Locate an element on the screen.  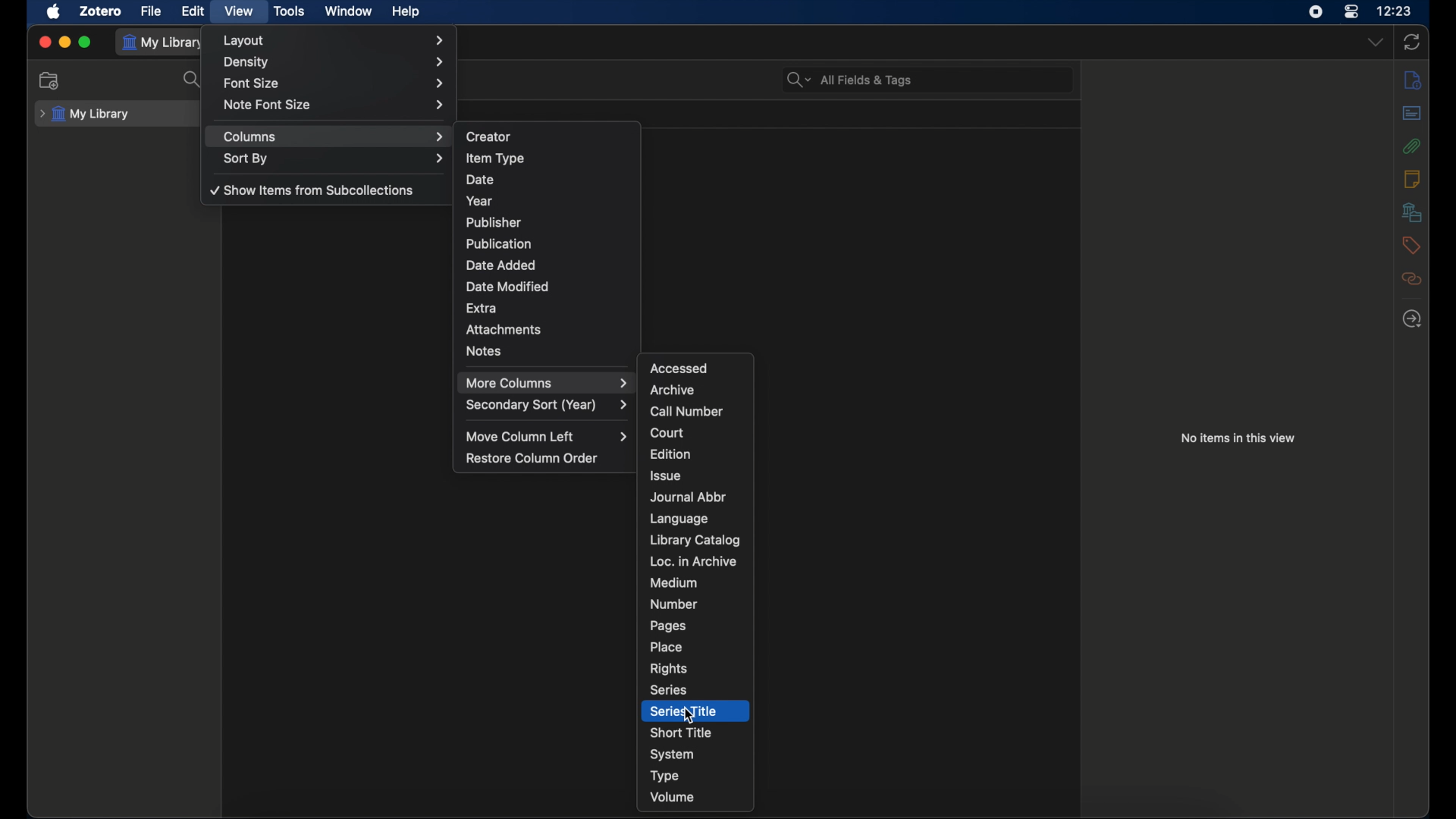
notes is located at coordinates (1412, 179).